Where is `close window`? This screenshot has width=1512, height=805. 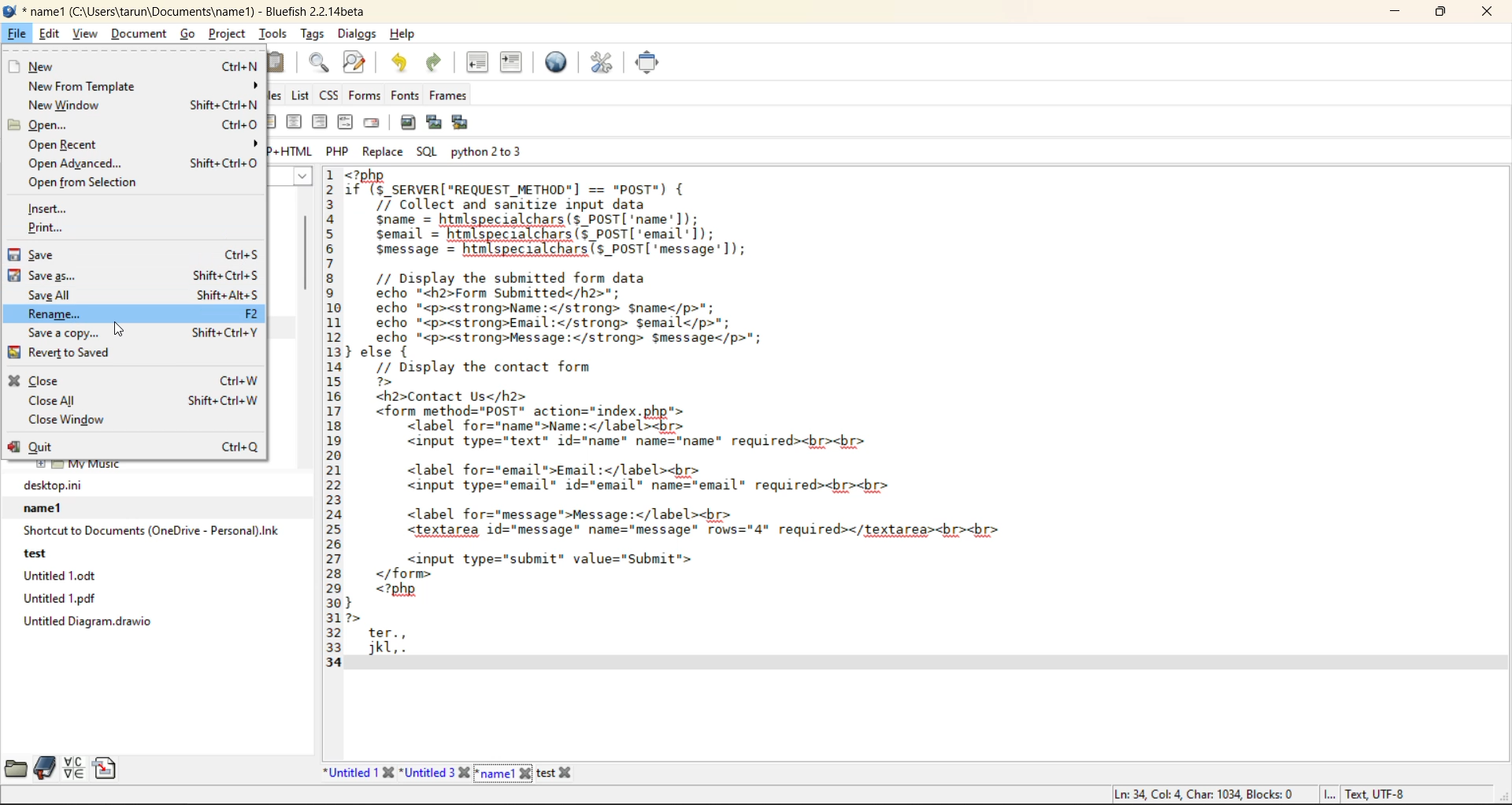 close window is located at coordinates (74, 421).